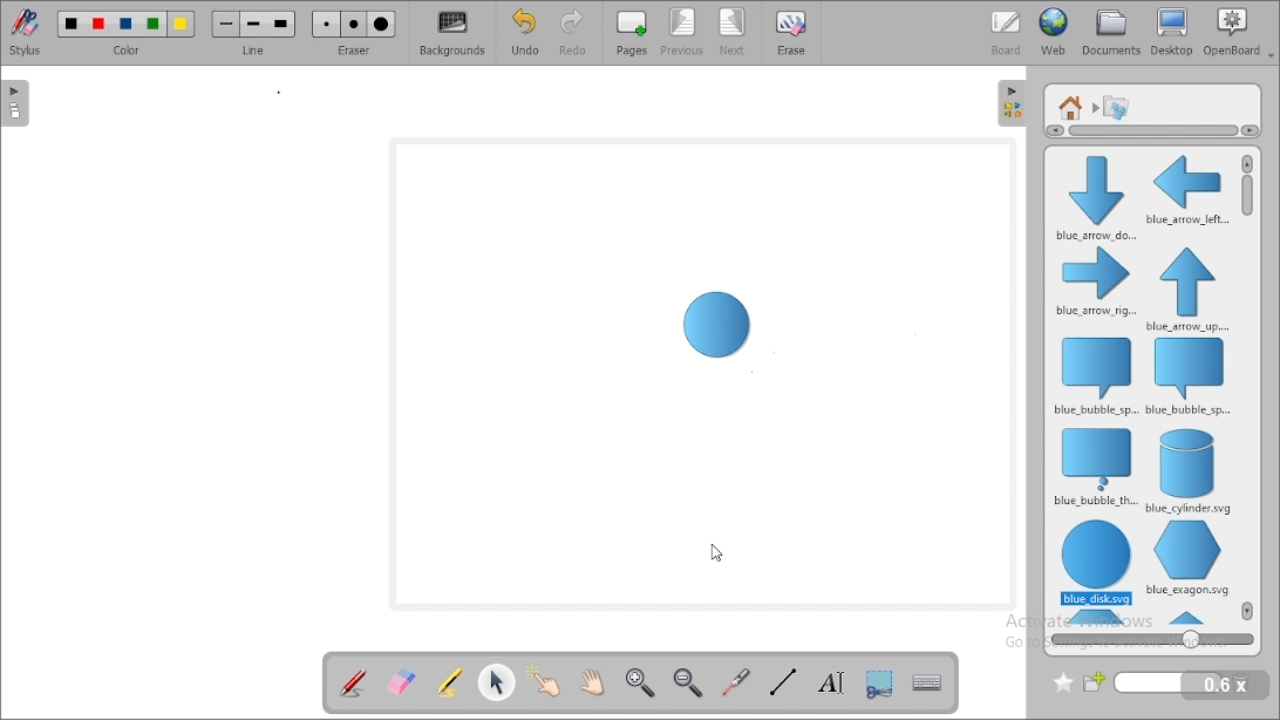 Image resolution: width=1280 pixels, height=720 pixels. Describe the element at coordinates (354, 32) in the screenshot. I see `eraser` at that location.